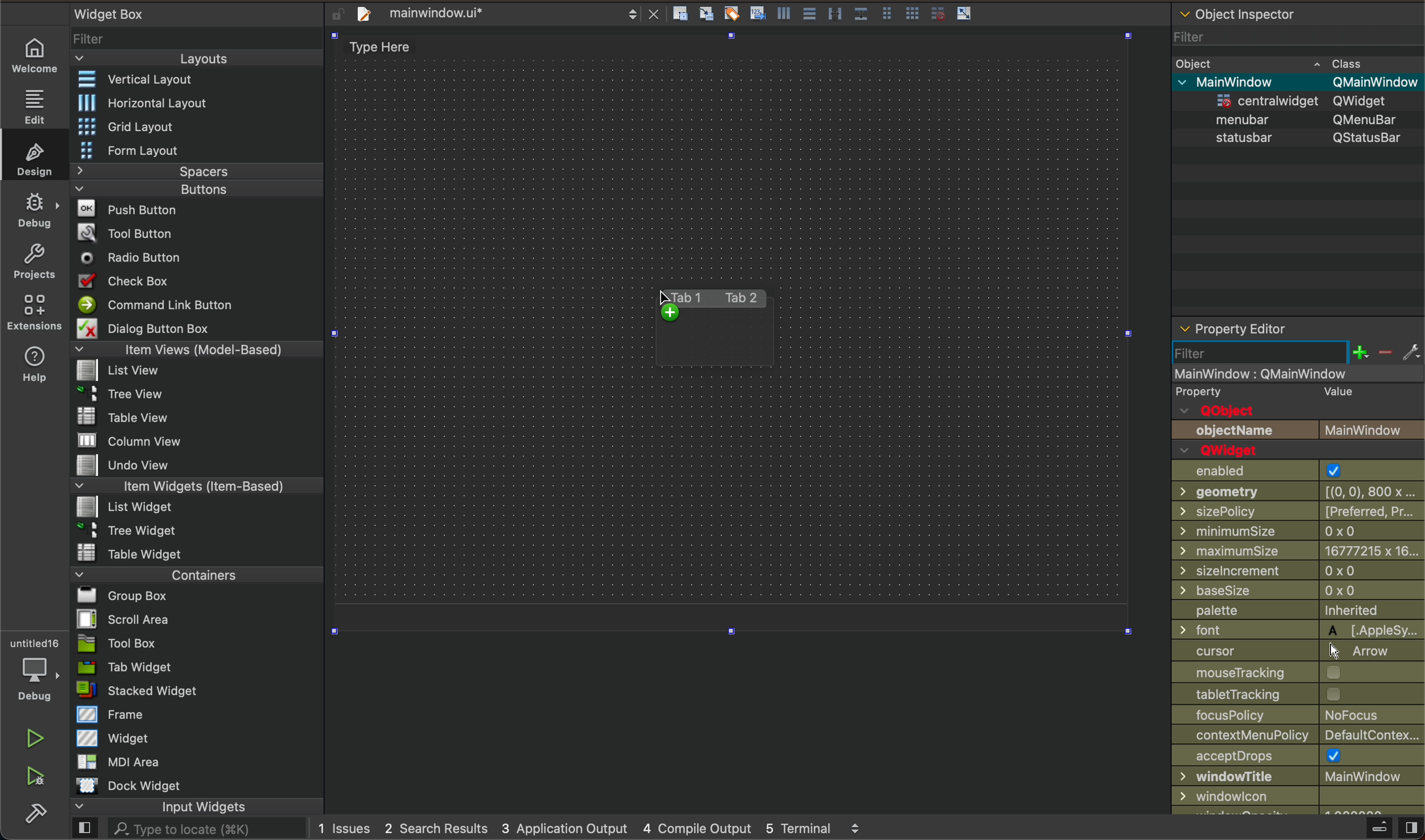 The width and height of the screenshot is (1425, 840). What do you see at coordinates (105, 14) in the screenshot?
I see `Widget Box` at bounding box center [105, 14].